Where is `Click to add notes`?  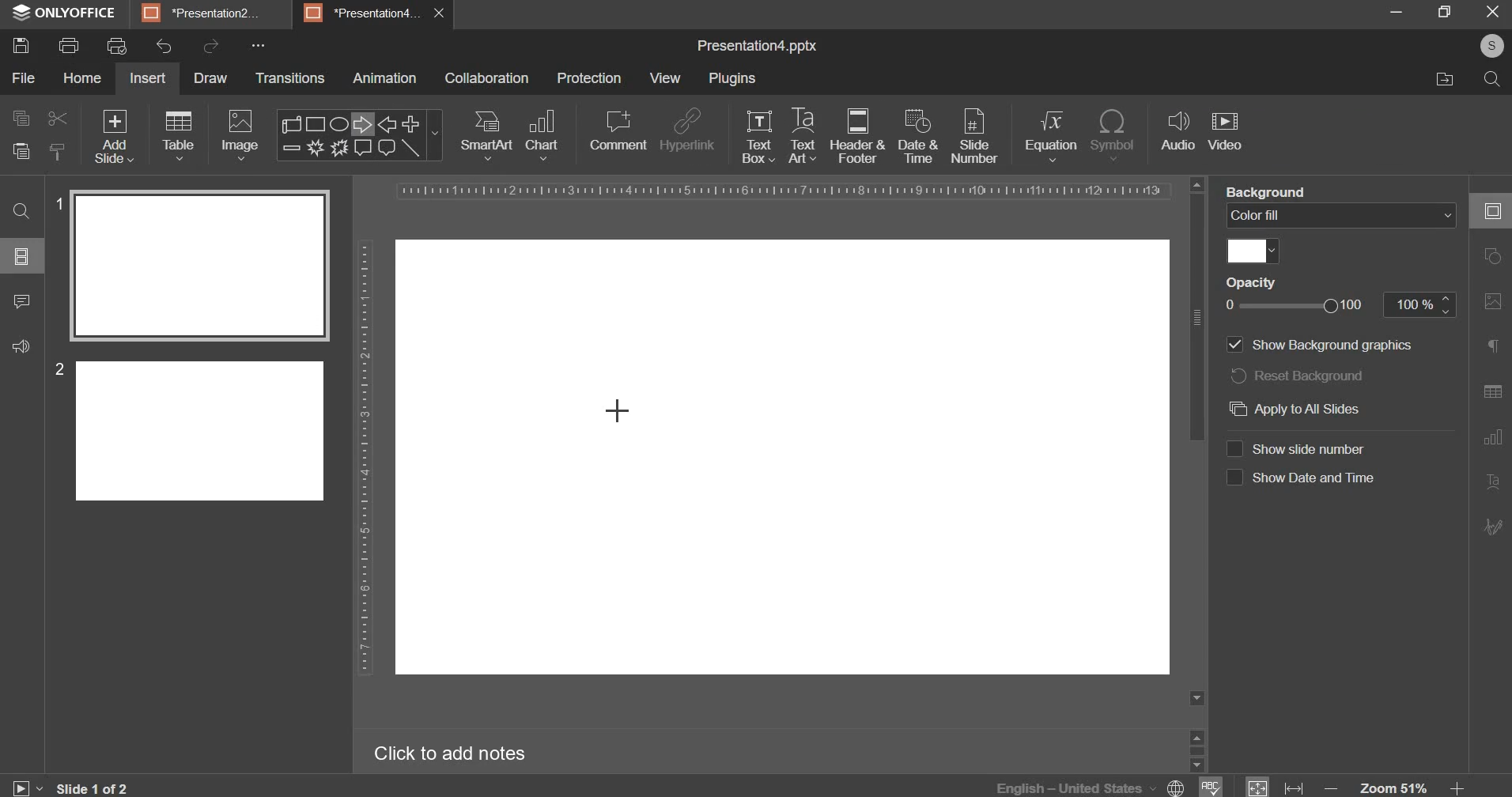 Click to add notes is located at coordinates (459, 756).